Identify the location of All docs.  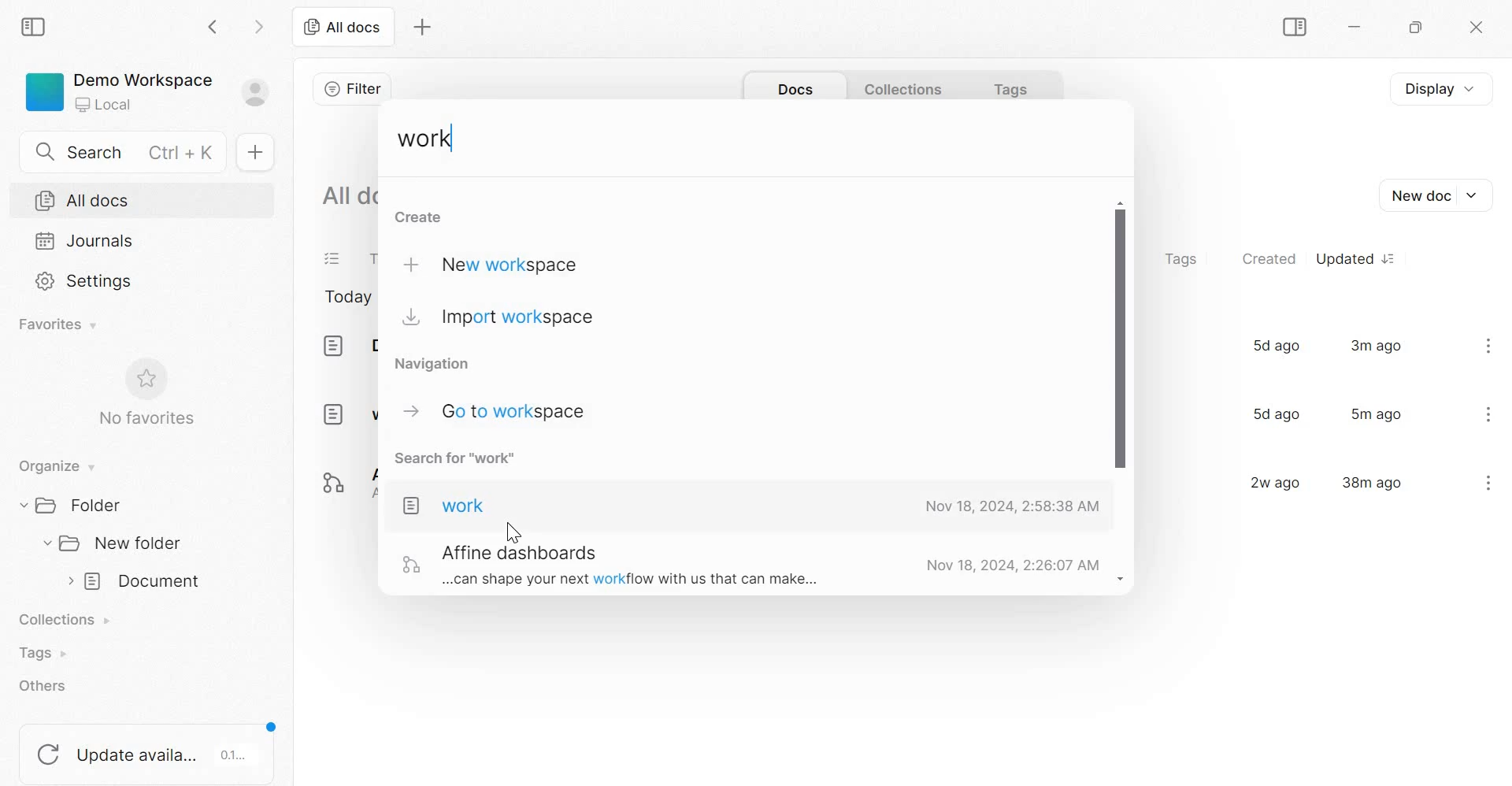
(349, 194).